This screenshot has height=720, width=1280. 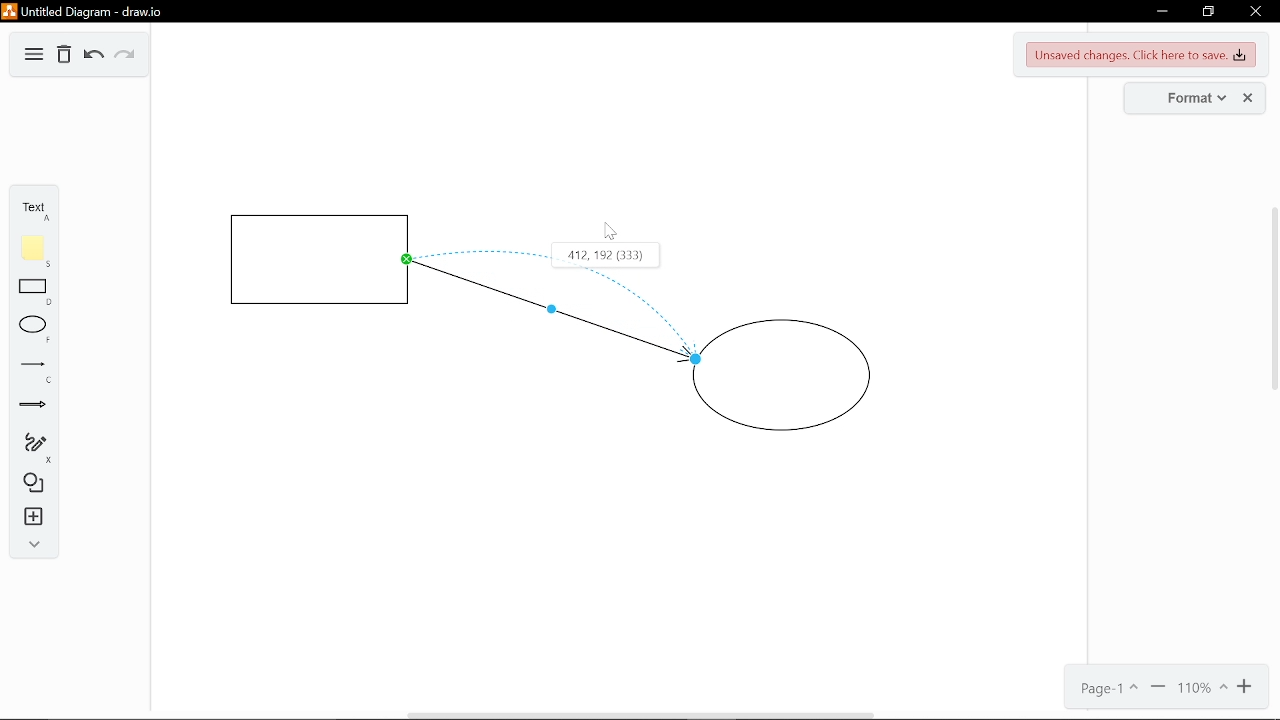 What do you see at coordinates (1248, 687) in the screenshot?
I see `Zoom in` at bounding box center [1248, 687].